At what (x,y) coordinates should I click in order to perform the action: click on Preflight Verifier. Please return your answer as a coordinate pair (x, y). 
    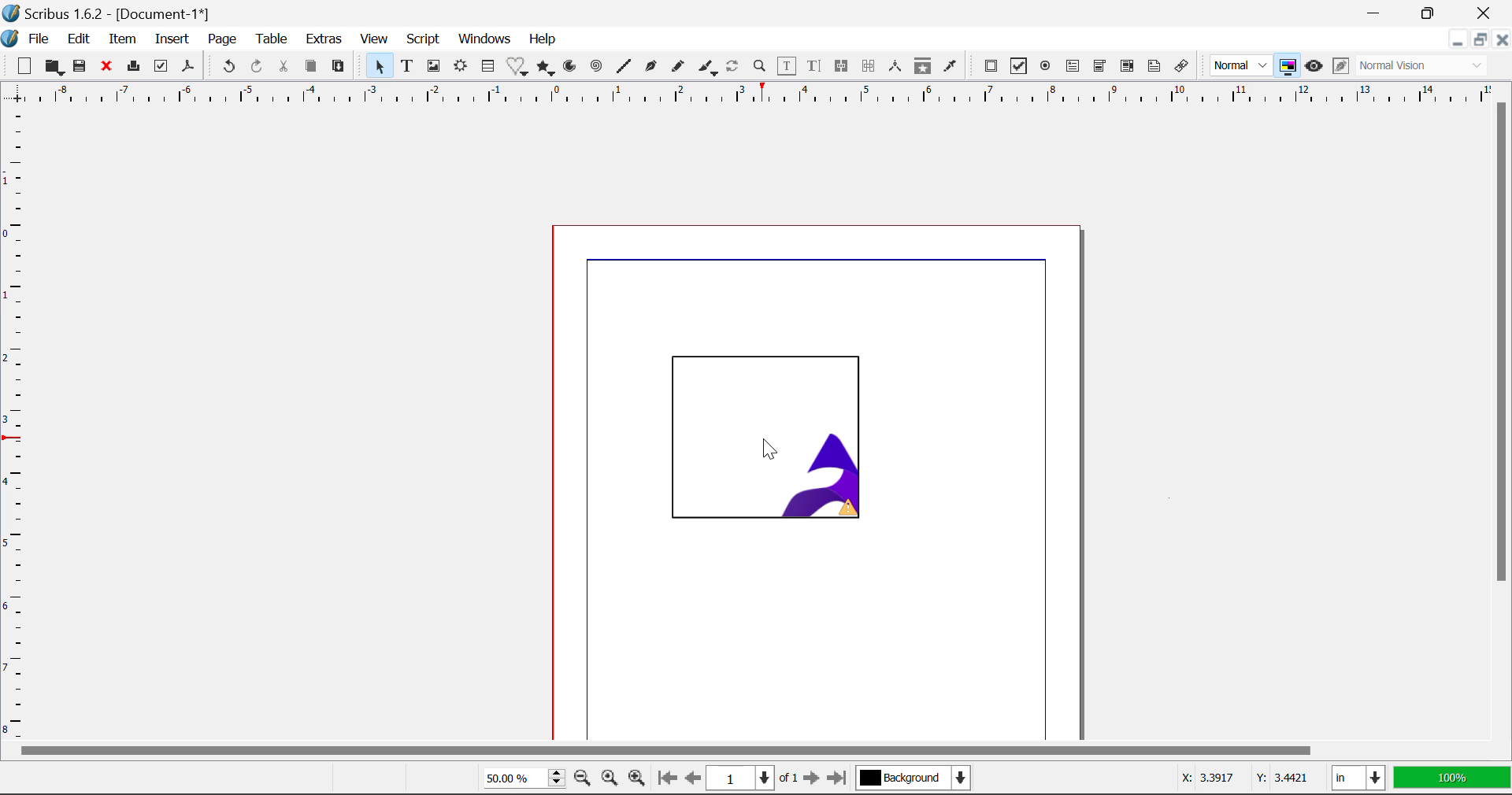
    Looking at the image, I should click on (161, 66).